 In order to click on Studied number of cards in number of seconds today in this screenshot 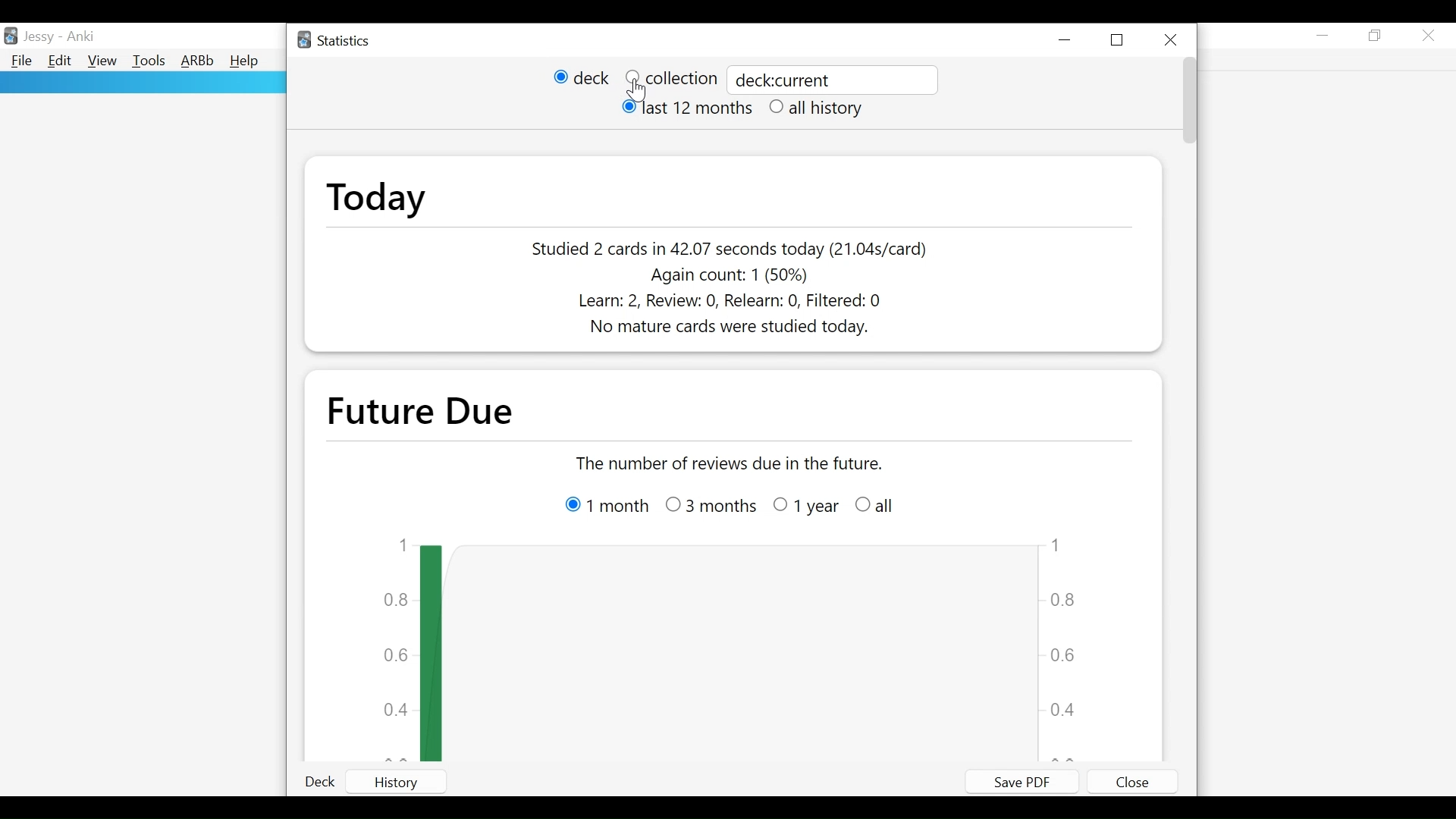, I will do `click(730, 249)`.